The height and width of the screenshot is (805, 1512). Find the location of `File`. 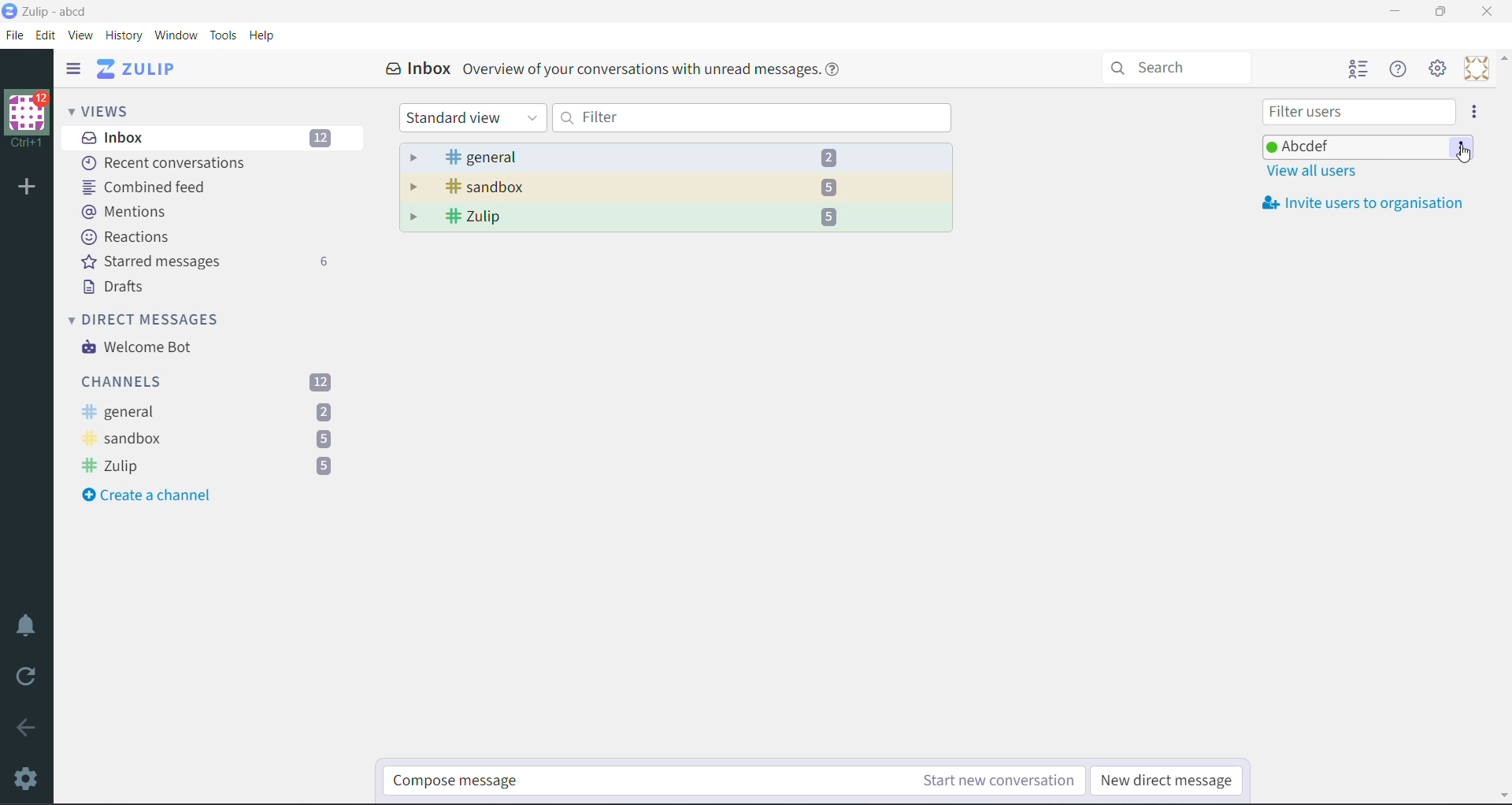

File is located at coordinates (16, 34).